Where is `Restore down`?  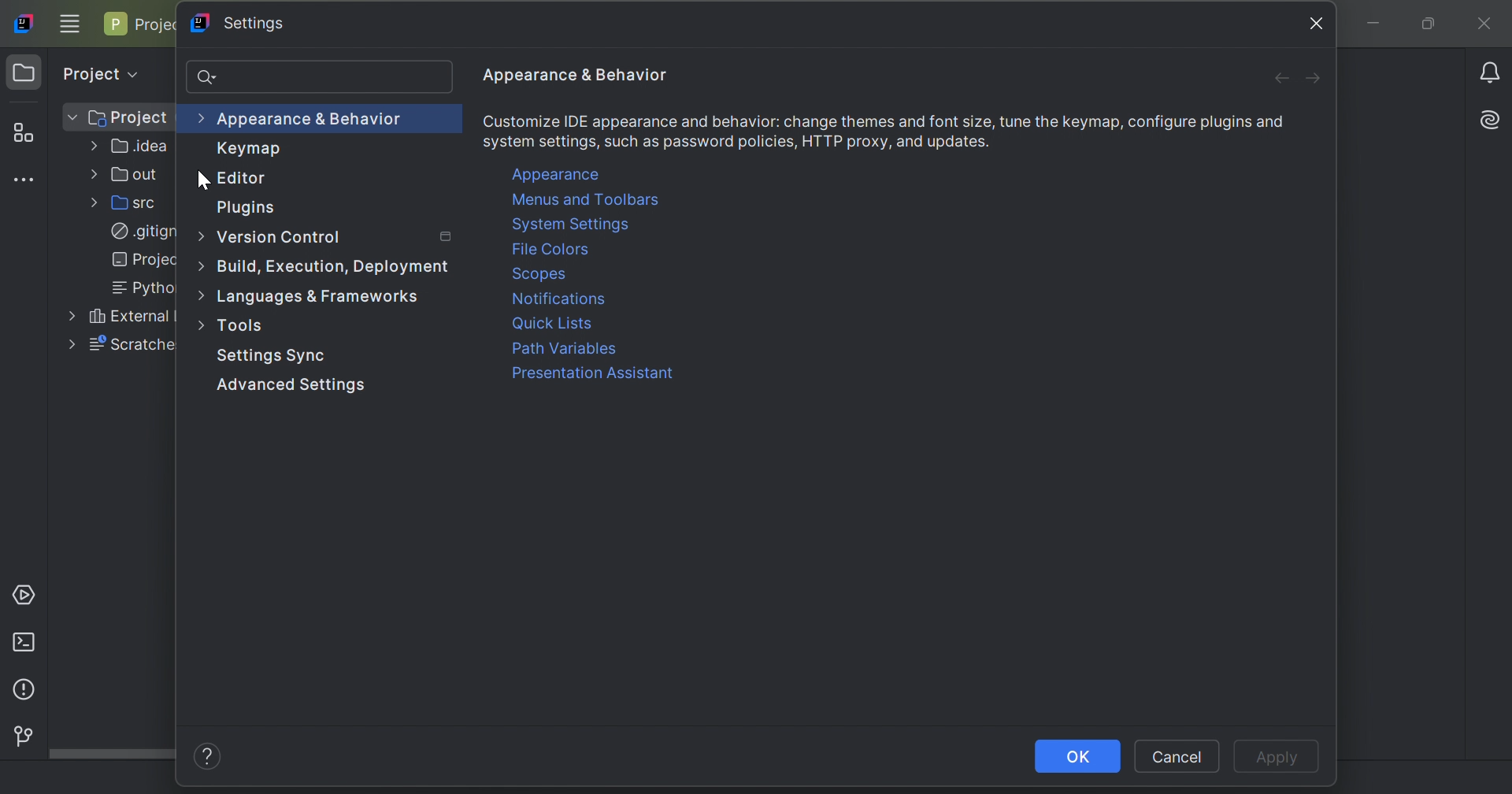
Restore down is located at coordinates (1426, 25).